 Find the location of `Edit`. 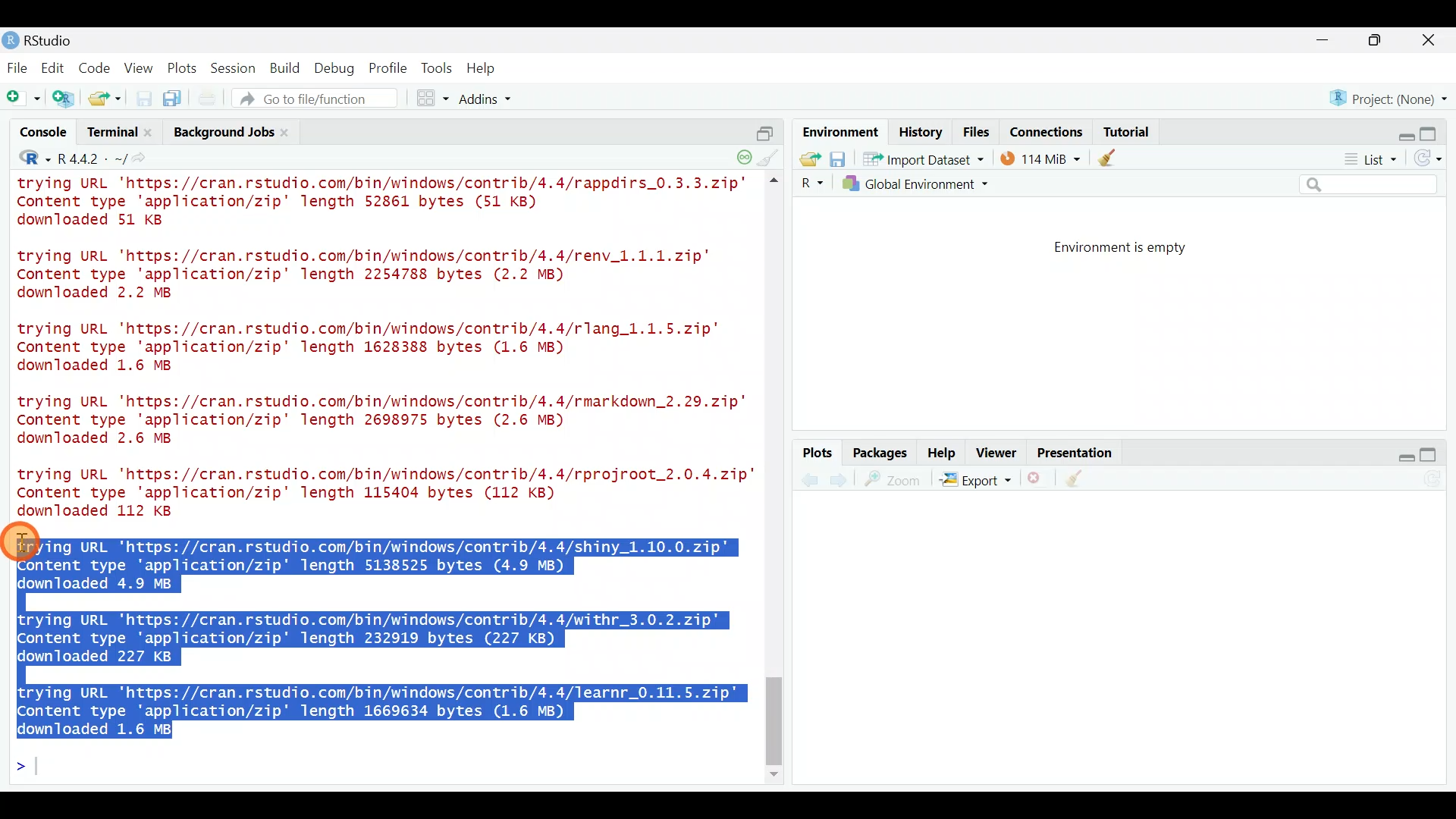

Edit is located at coordinates (55, 69).